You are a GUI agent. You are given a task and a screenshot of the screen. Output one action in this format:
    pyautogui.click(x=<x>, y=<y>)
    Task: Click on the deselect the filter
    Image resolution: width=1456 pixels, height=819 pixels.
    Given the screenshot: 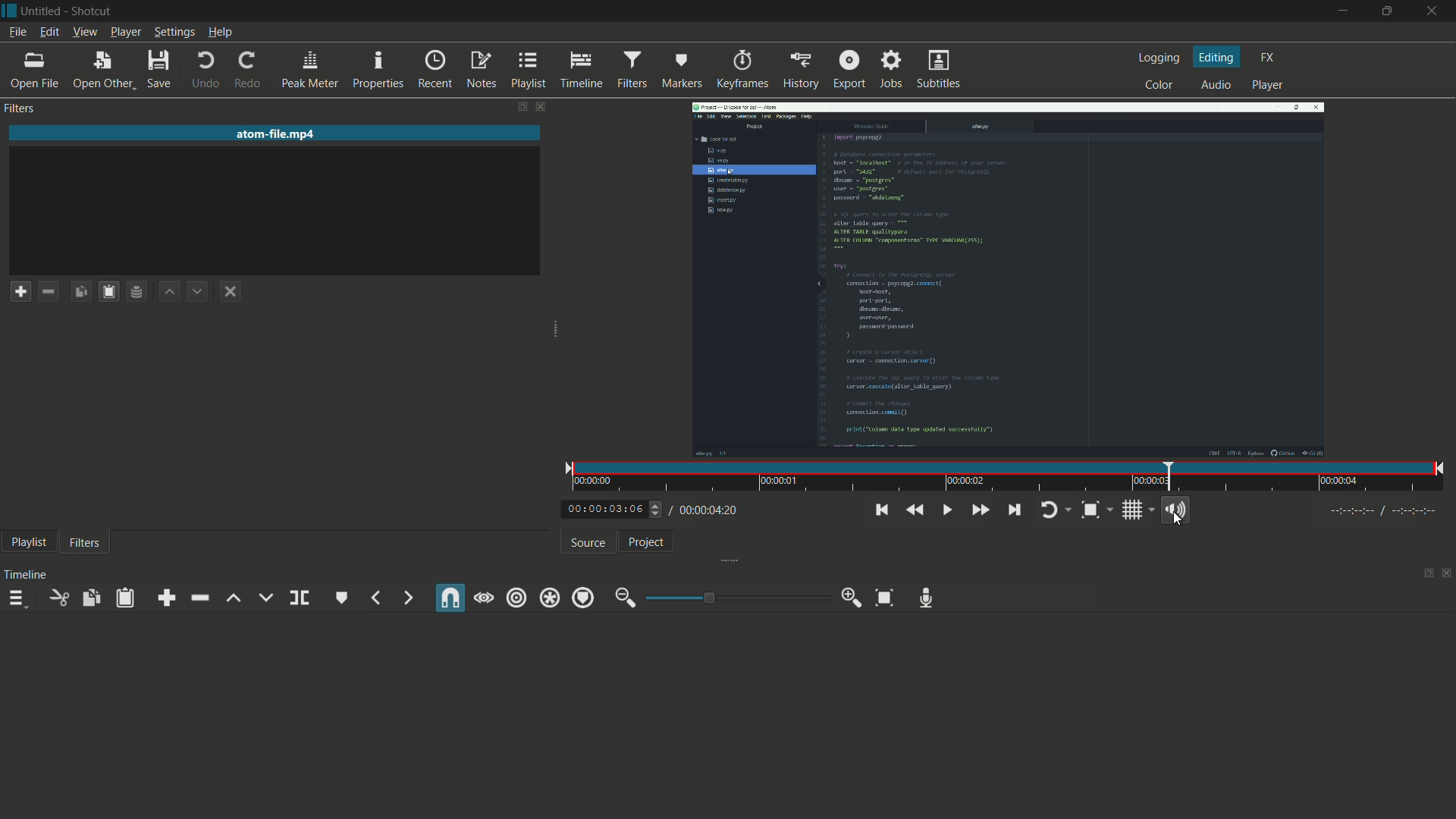 What is the action you would take?
    pyautogui.click(x=230, y=291)
    